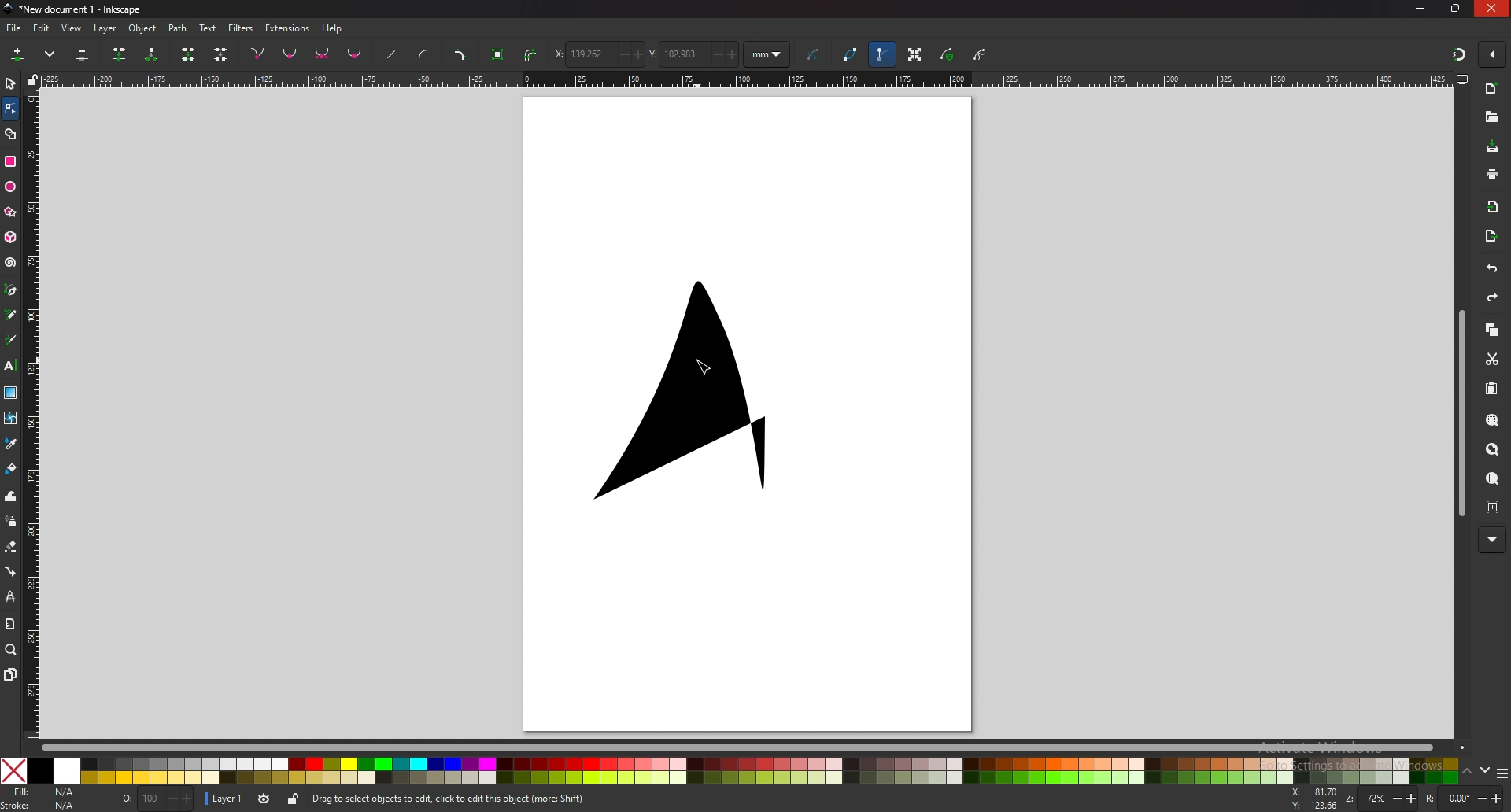  I want to click on edit, so click(42, 29).